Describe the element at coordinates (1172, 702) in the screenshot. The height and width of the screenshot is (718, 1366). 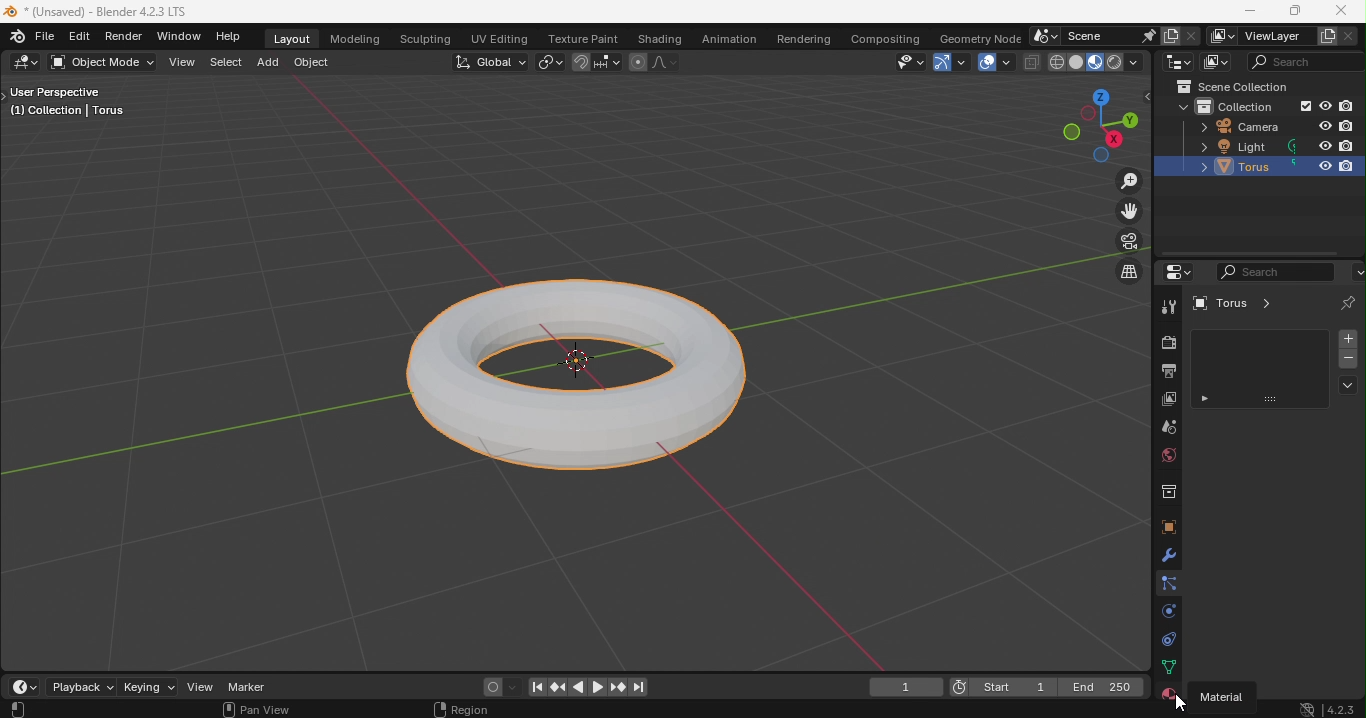
I see `Cursor` at that location.